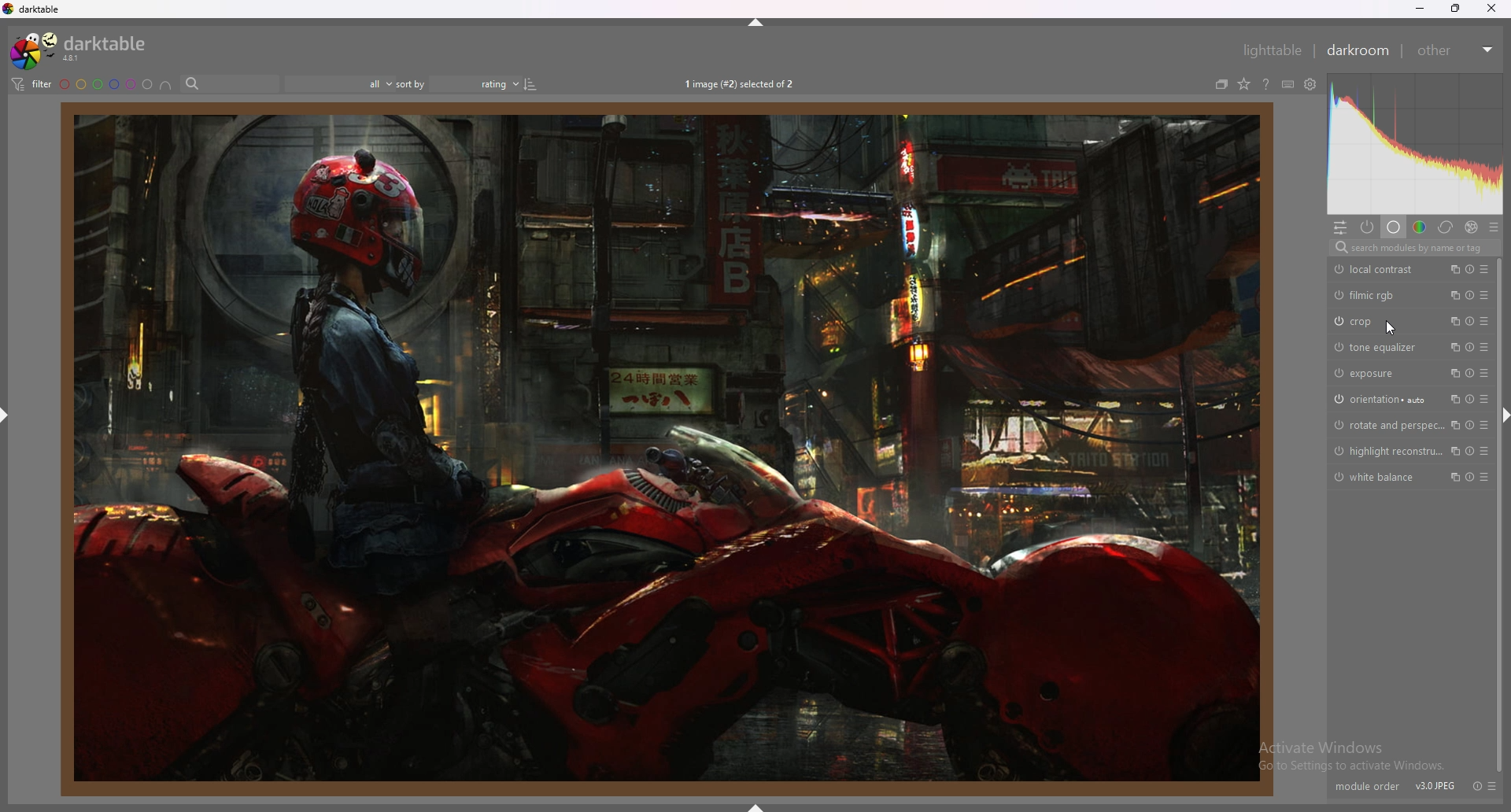 This screenshot has width=1511, height=812. What do you see at coordinates (1456, 50) in the screenshot?
I see `other` at bounding box center [1456, 50].